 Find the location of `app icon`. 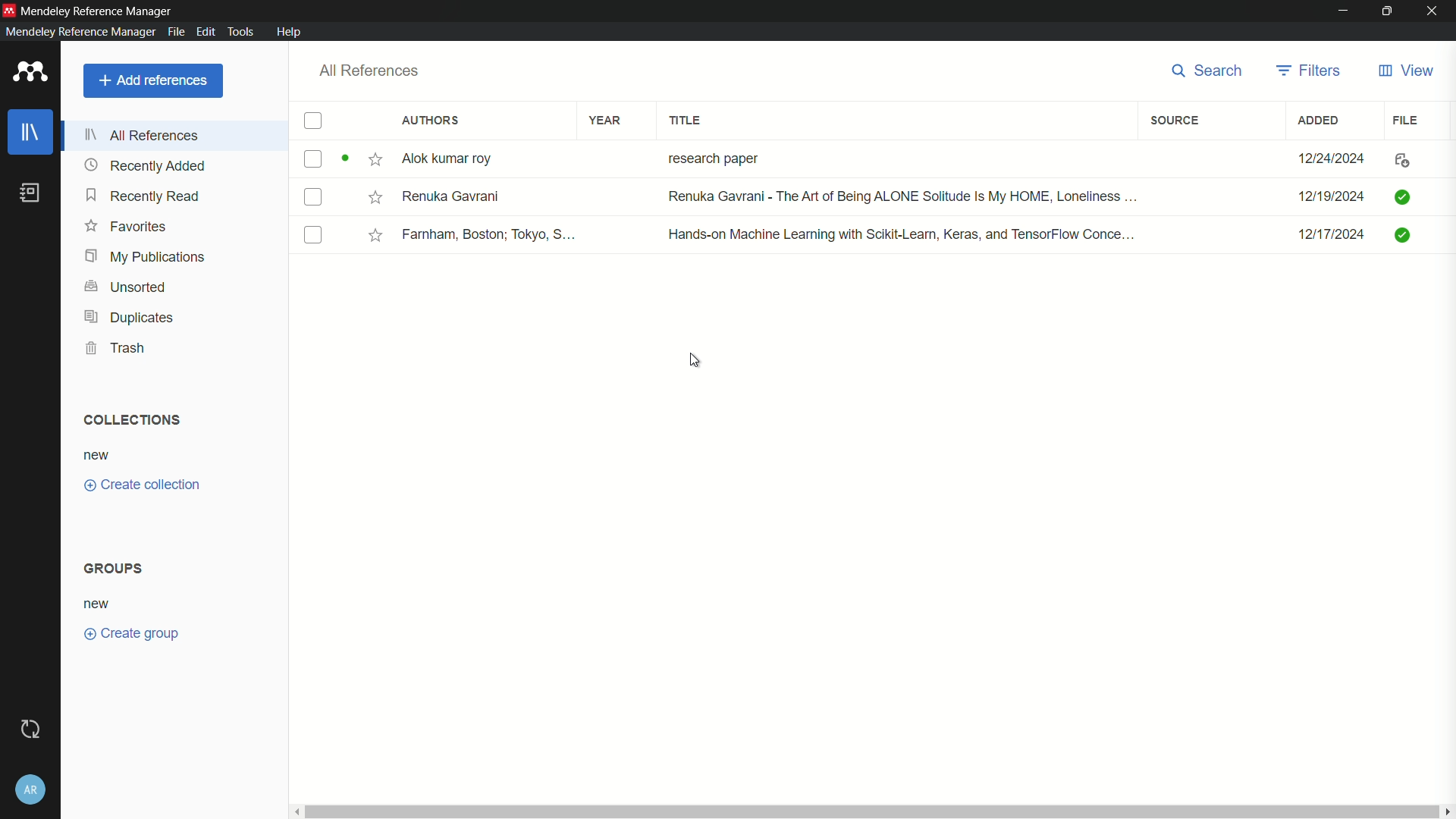

app icon is located at coordinates (9, 9).